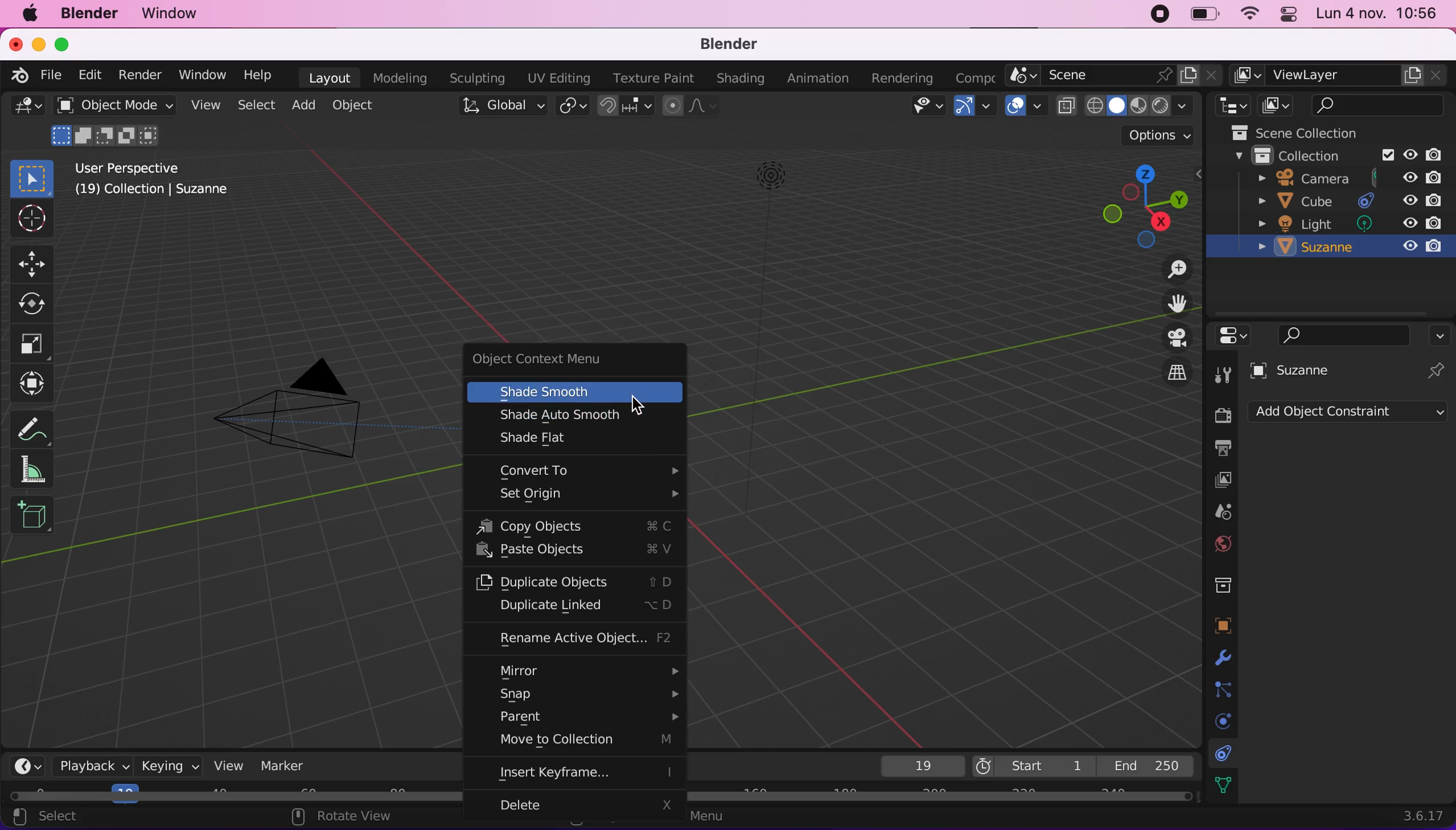 This screenshot has width=1456, height=830. I want to click on display, so click(1222, 479).